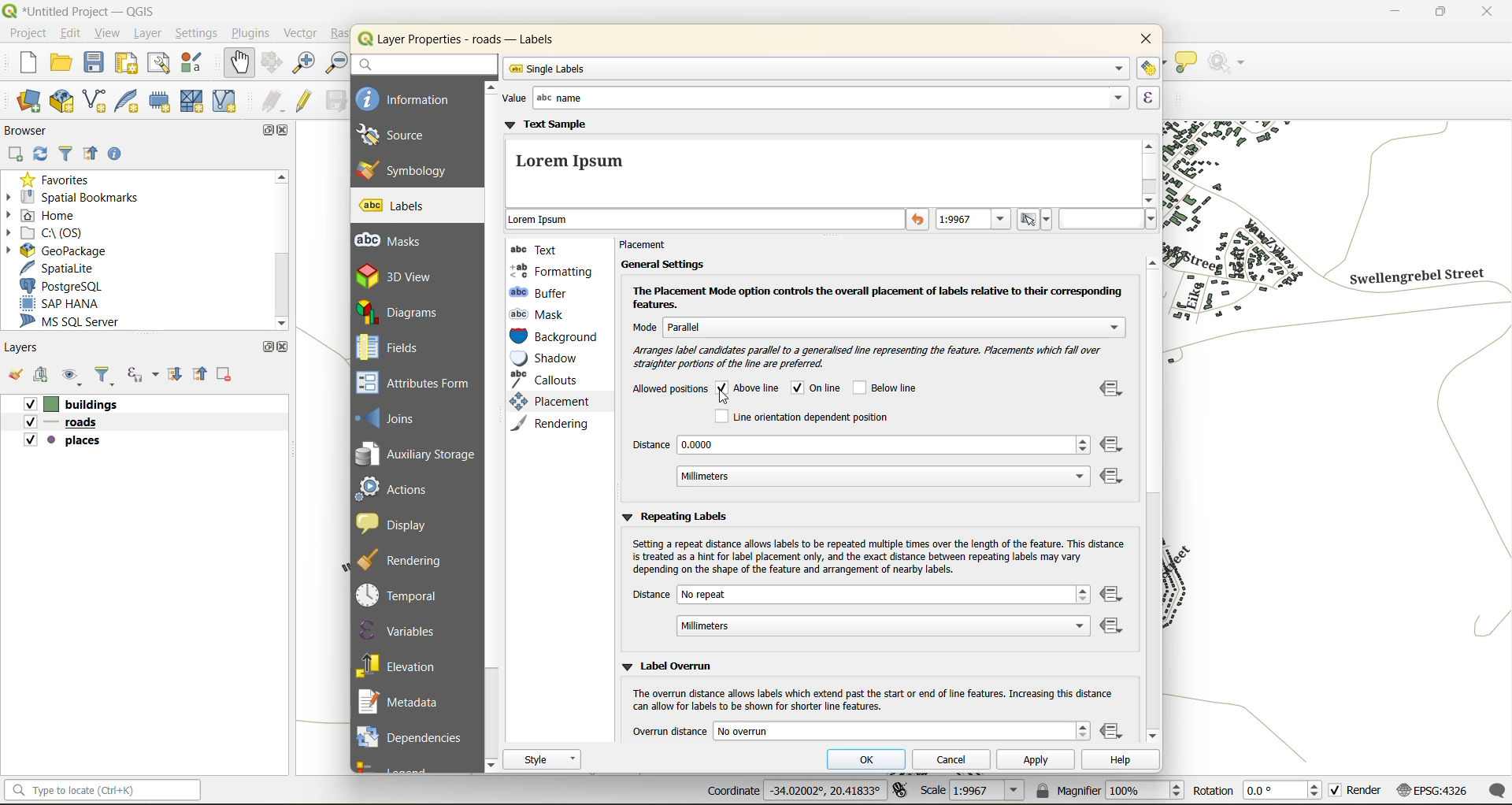 This screenshot has width=1512, height=805. Describe the element at coordinates (816, 69) in the screenshot. I see `single labels` at that location.